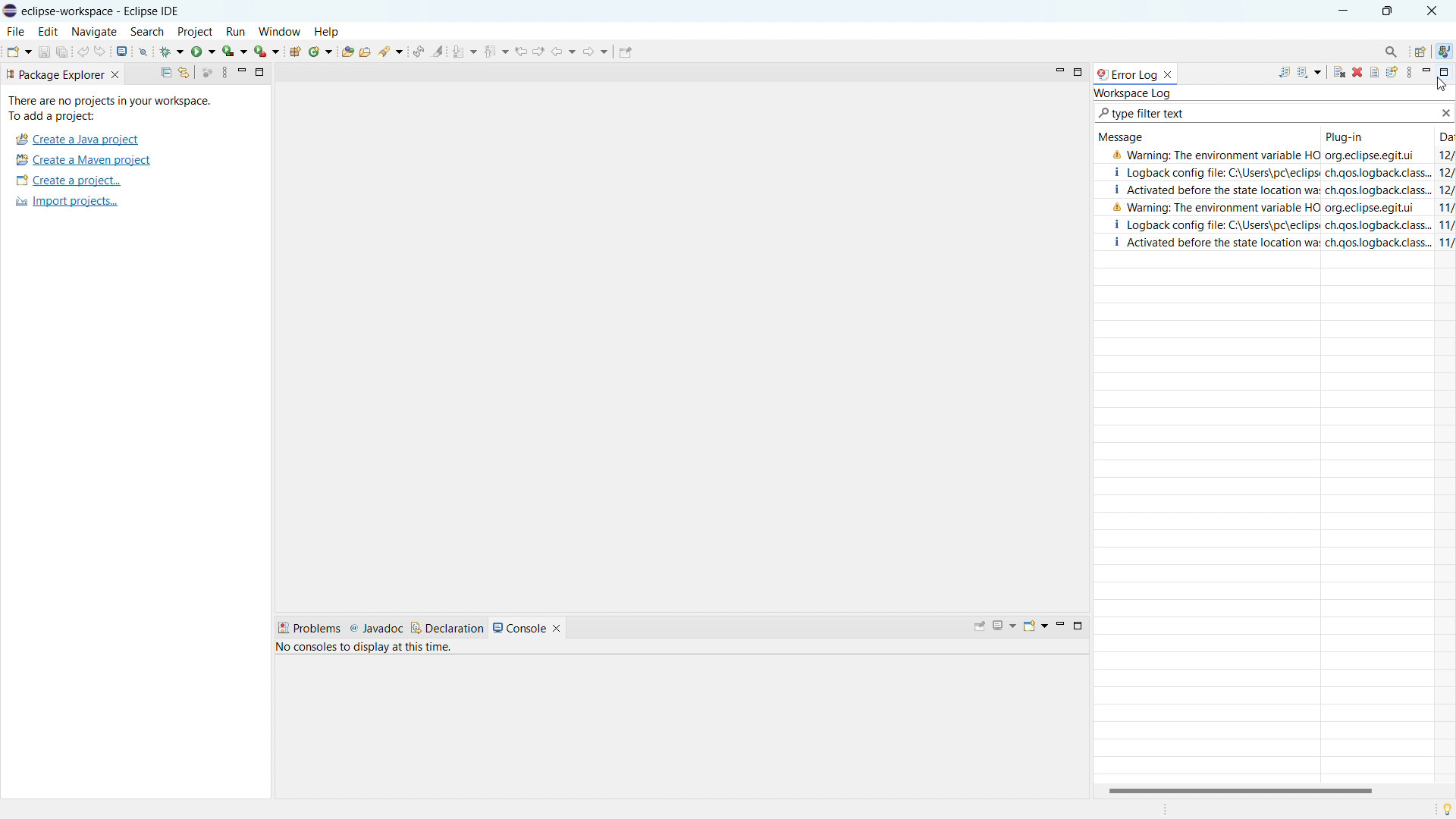  What do you see at coordinates (1282, 207) in the screenshot?
I see ` Warning: The environment variable HO org.eclipse.eqgit.ui  11/` at bounding box center [1282, 207].